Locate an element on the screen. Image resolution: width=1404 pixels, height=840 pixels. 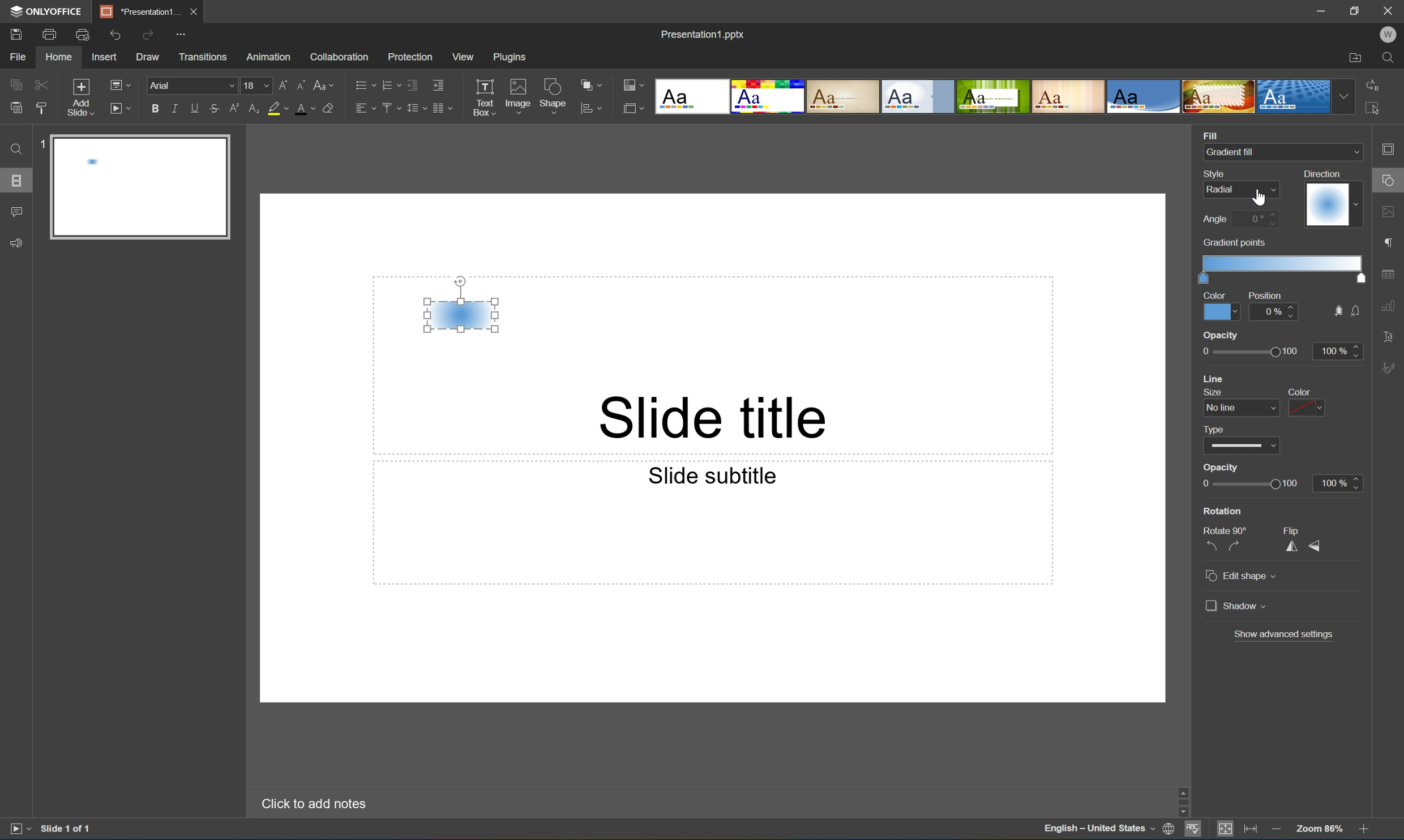
18 is located at coordinates (257, 85).